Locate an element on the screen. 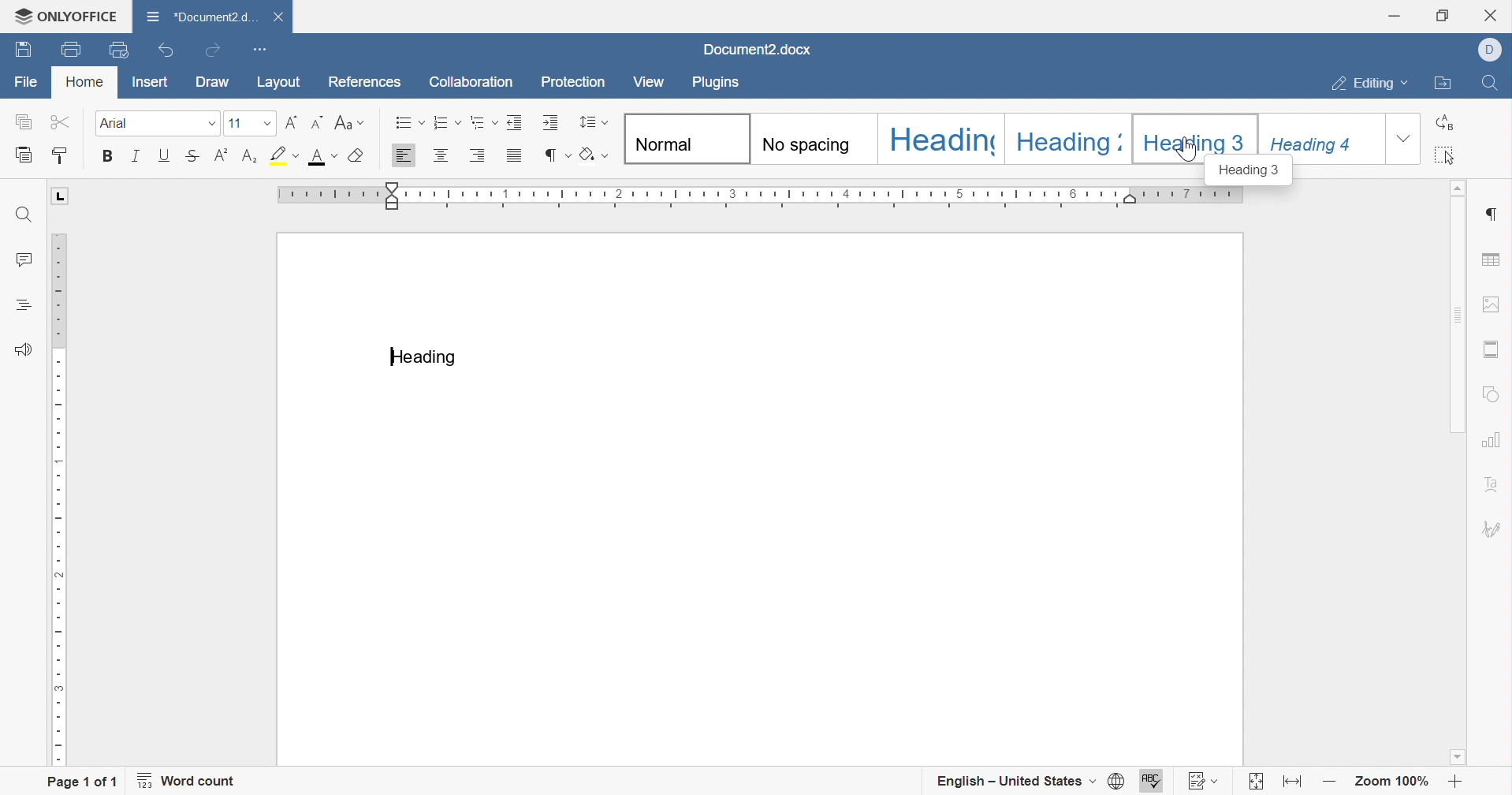 Image resolution: width=1512 pixels, height=795 pixels. Non printing characters is located at coordinates (559, 155).